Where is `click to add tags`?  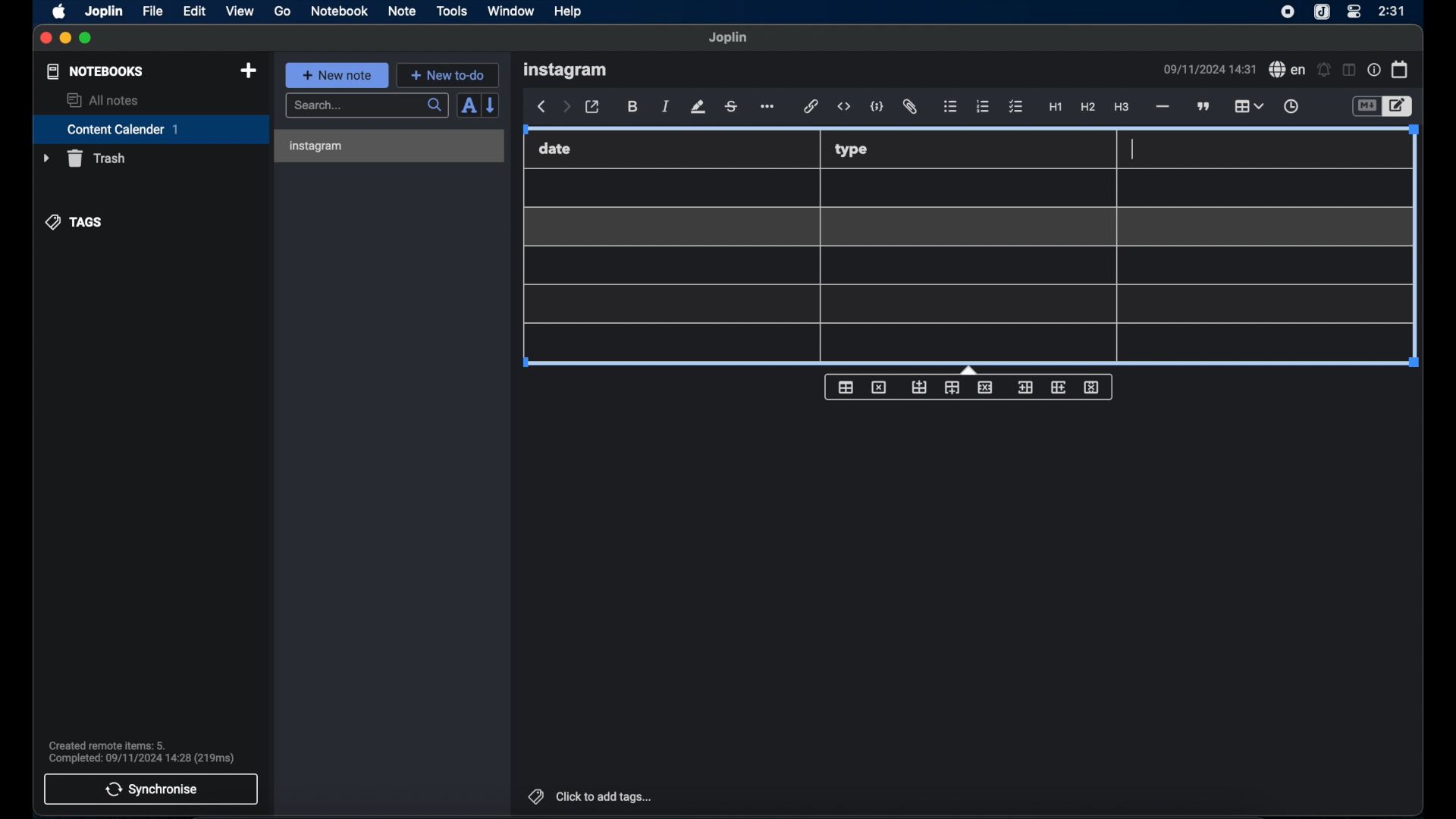 click to add tags is located at coordinates (591, 796).